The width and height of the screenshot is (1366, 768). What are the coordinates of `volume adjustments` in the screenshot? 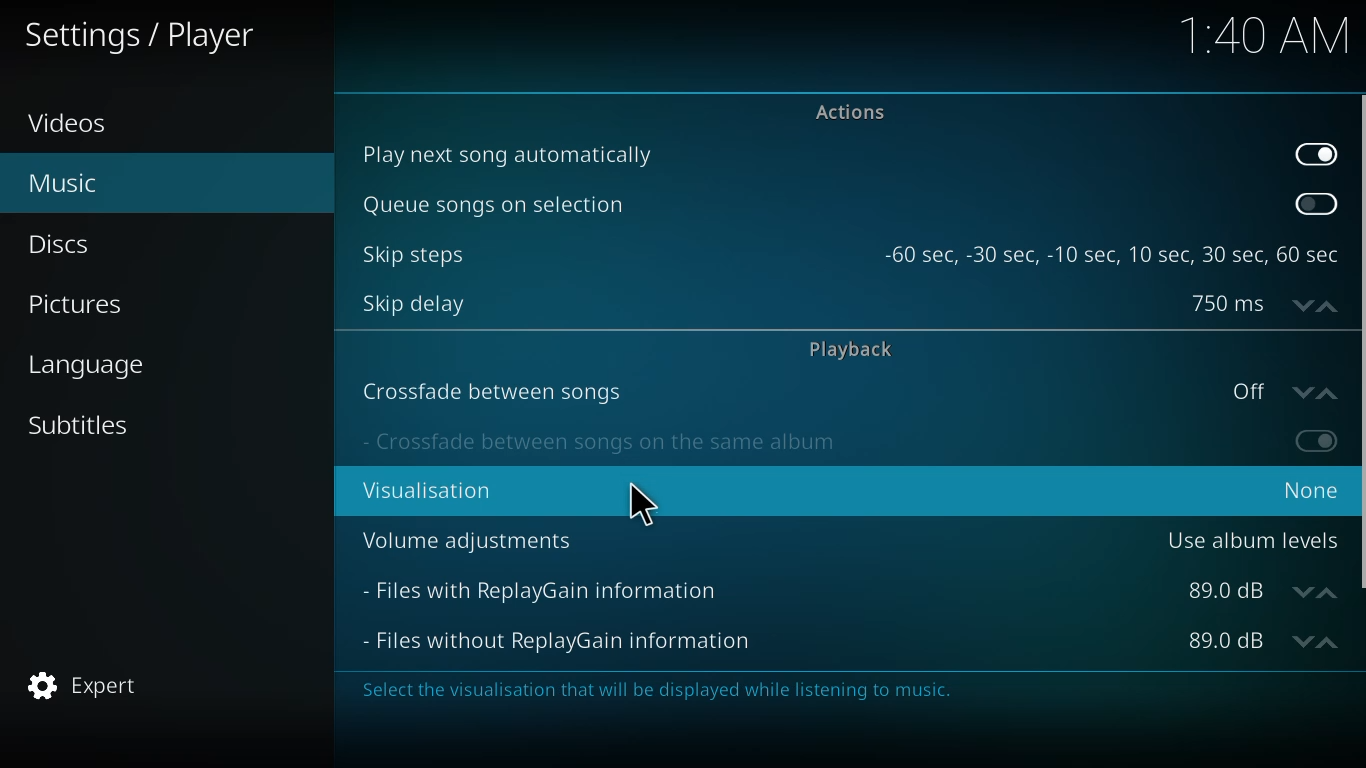 It's located at (473, 538).